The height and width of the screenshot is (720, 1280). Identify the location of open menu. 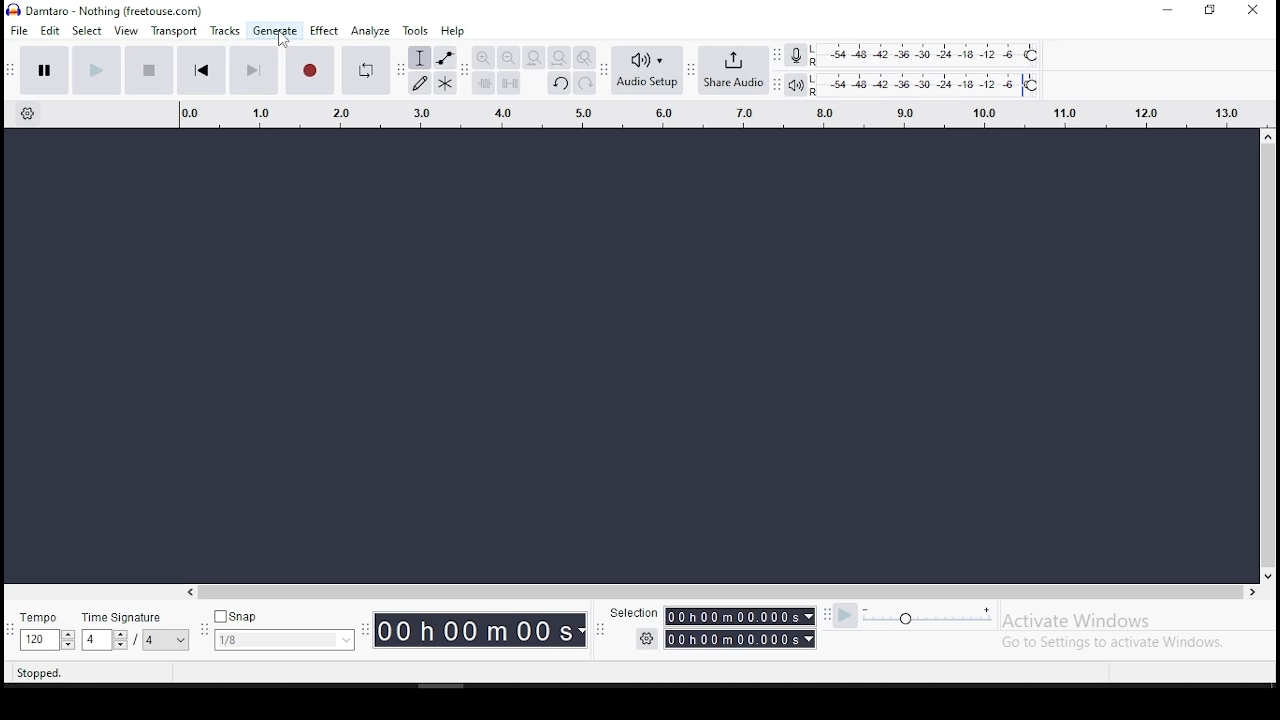
(777, 68).